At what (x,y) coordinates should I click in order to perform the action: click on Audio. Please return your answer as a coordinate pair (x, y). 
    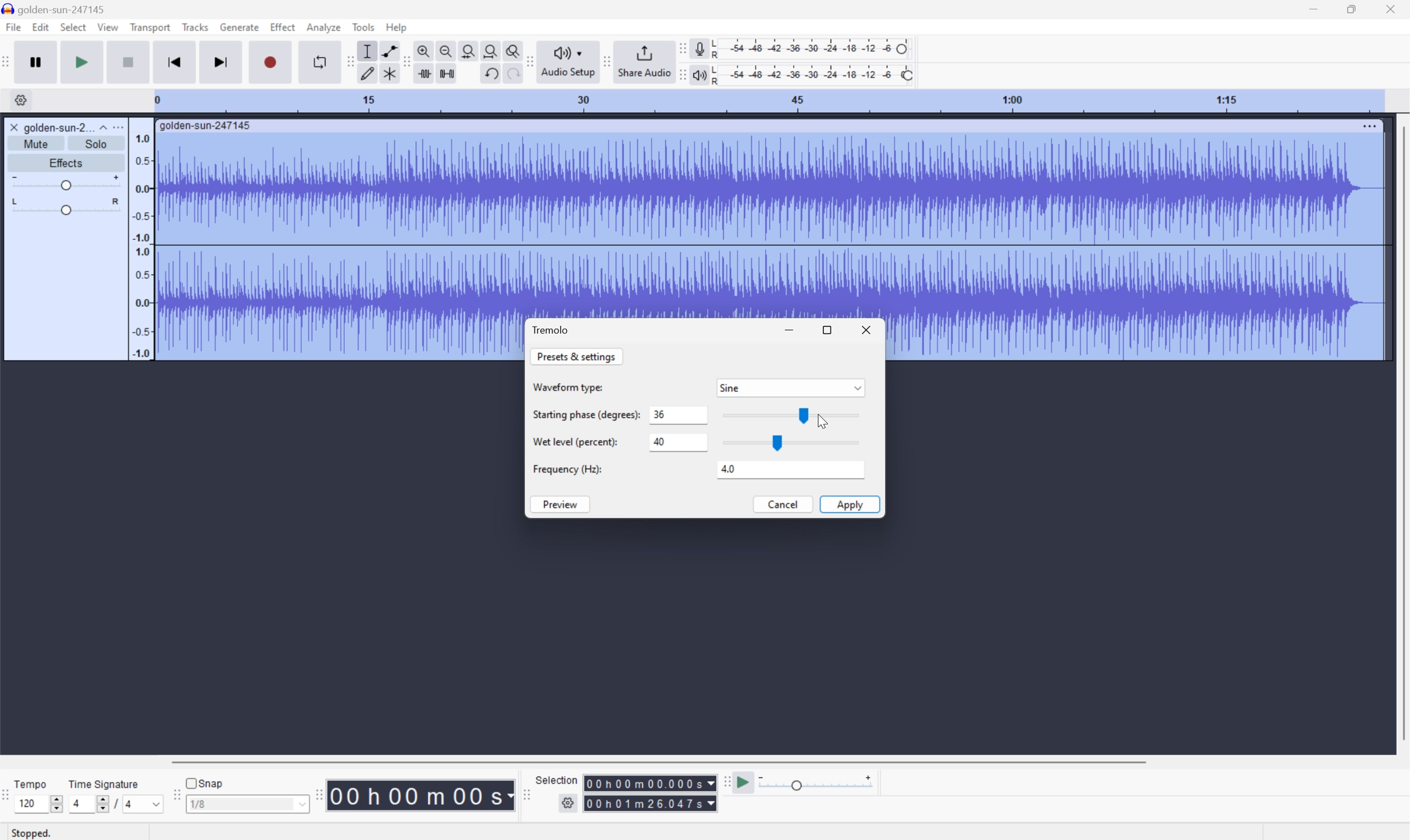
    Looking at the image, I should click on (770, 226).